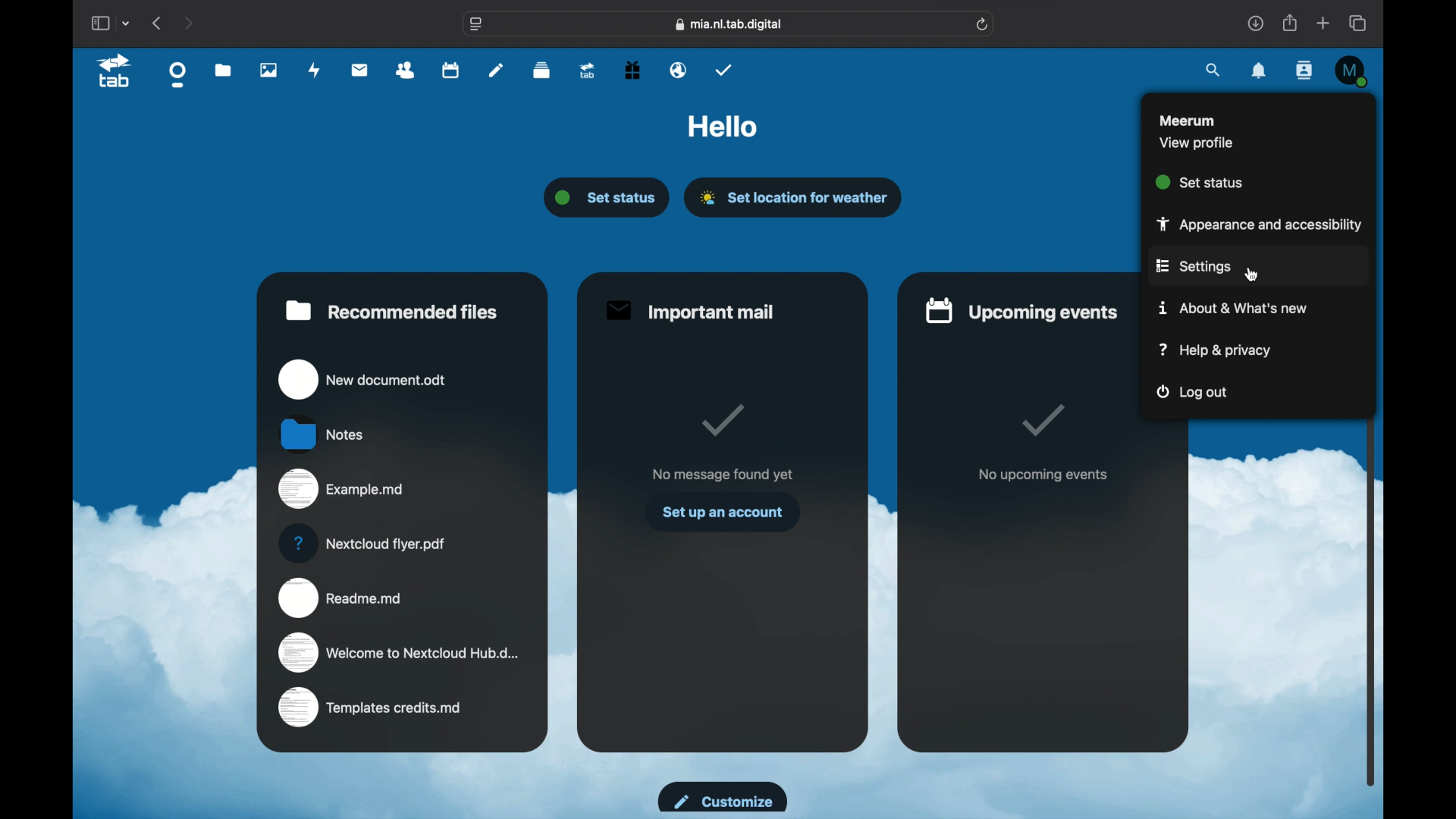 The image size is (1456, 819). What do you see at coordinates (588, 71) in the screenshot?
I see `upgrade` at bounding box center [588, 71].